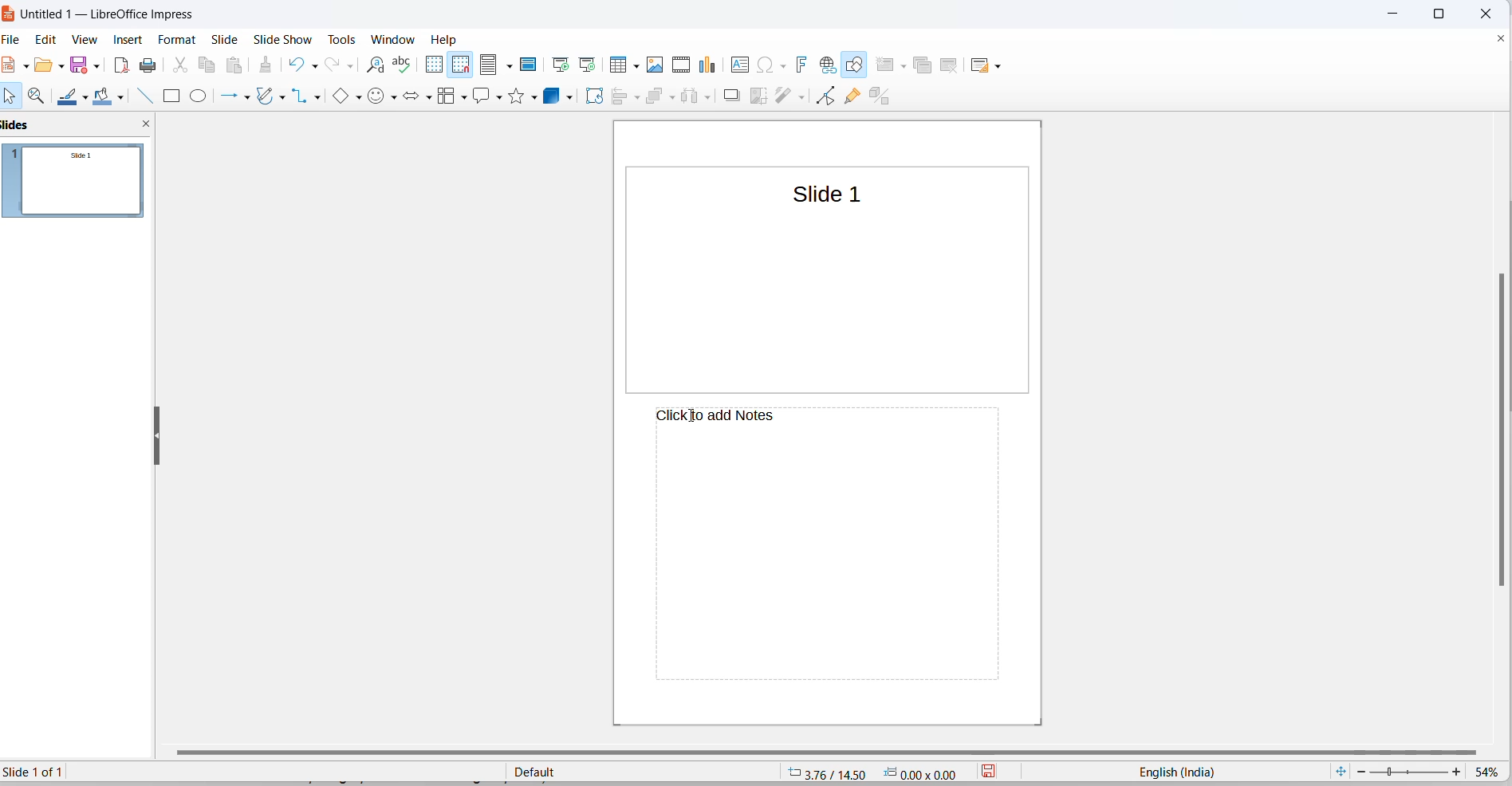 The image size is (1512, 786). I want to click on align options, so click(636, 99).